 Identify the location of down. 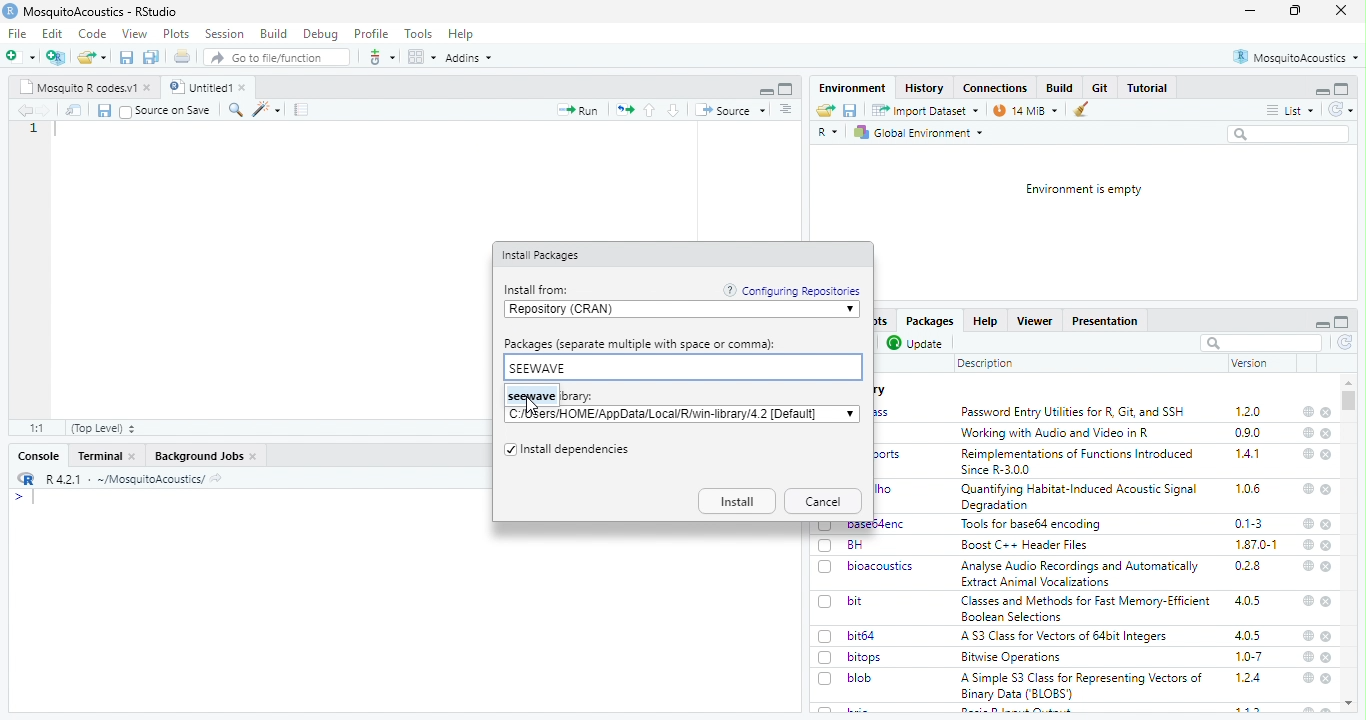
(675, 110).